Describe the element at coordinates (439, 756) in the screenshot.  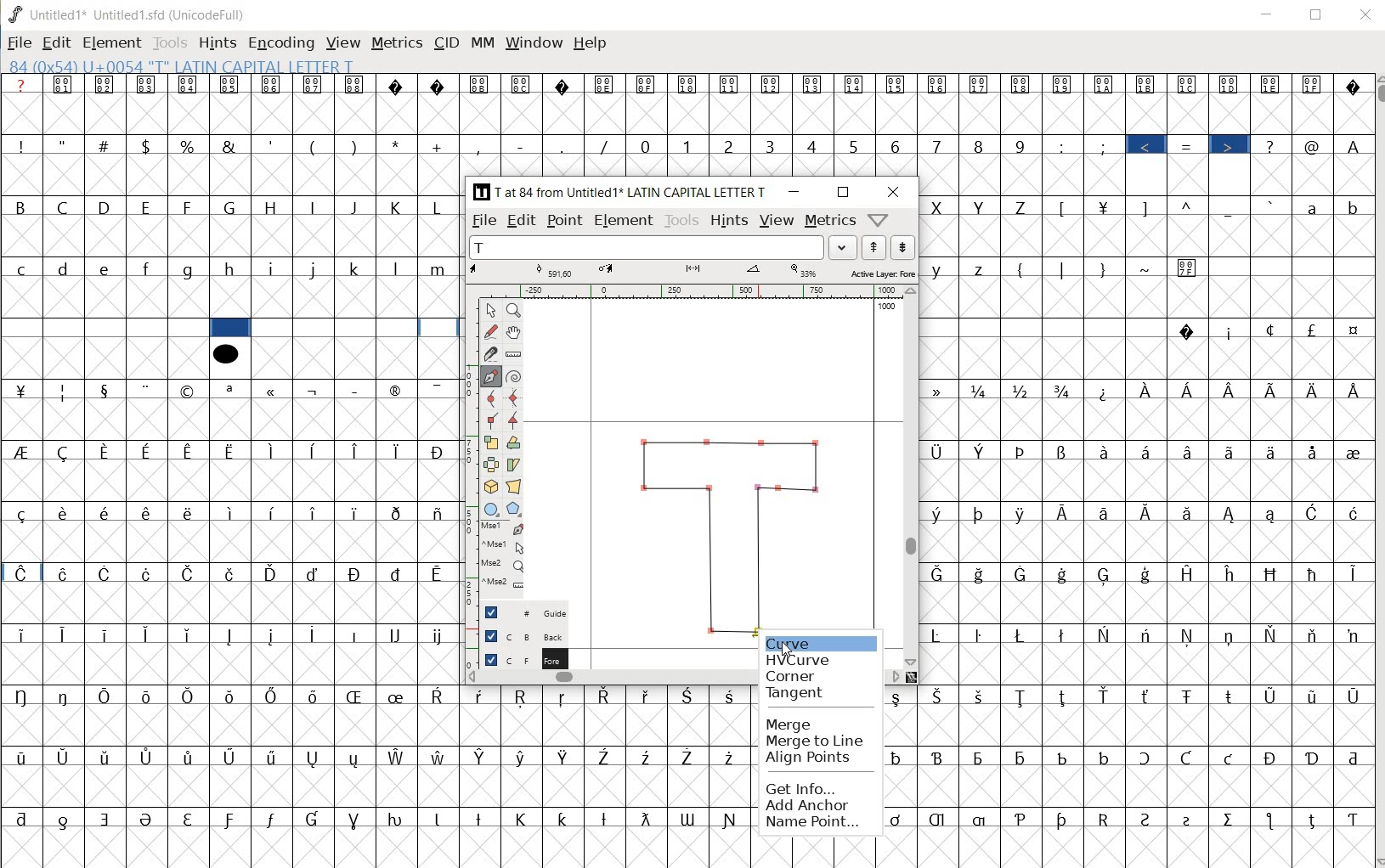
I see `Symbol` at that location.